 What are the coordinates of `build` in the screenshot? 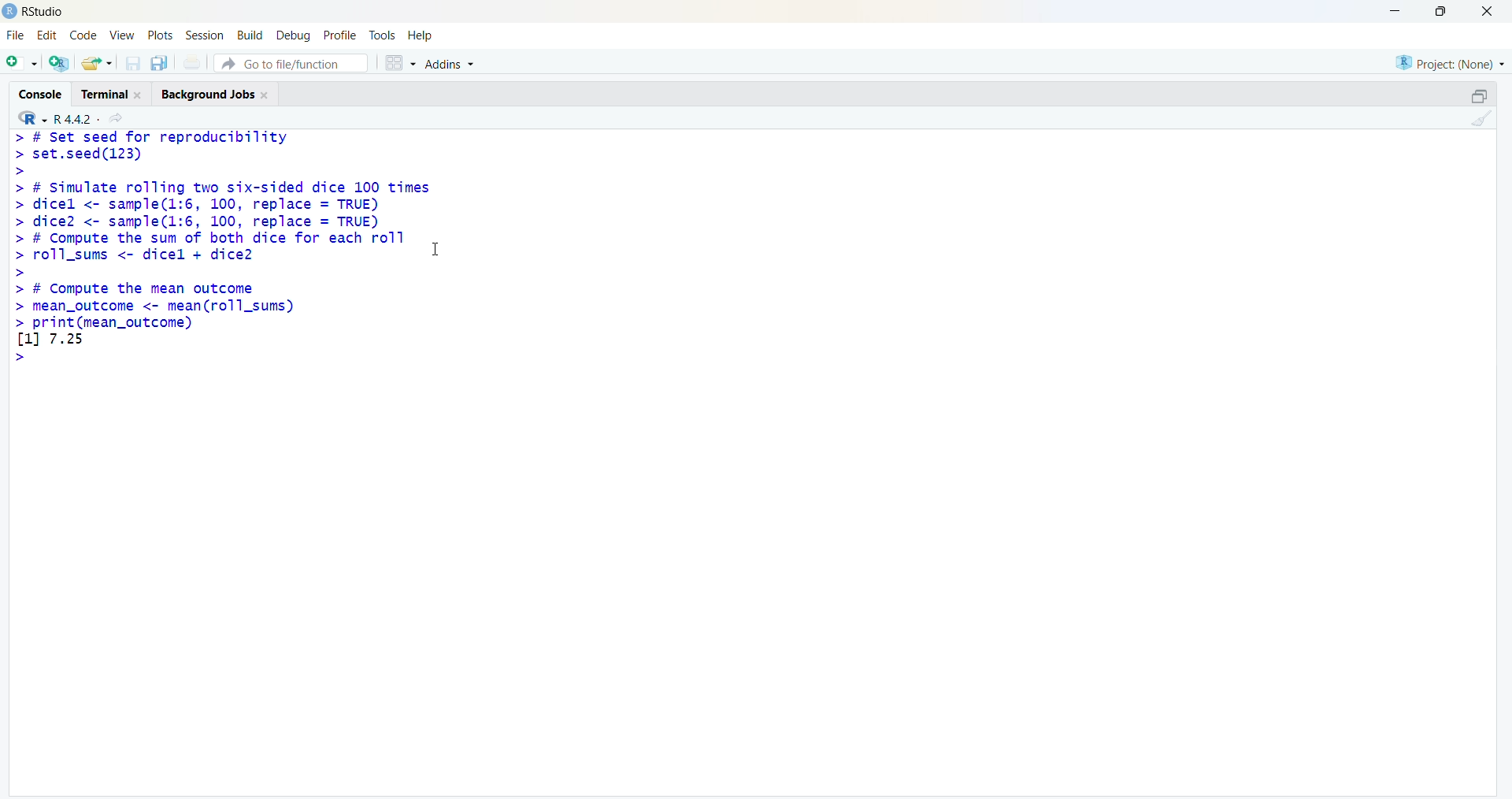 It's located at (249, 36).